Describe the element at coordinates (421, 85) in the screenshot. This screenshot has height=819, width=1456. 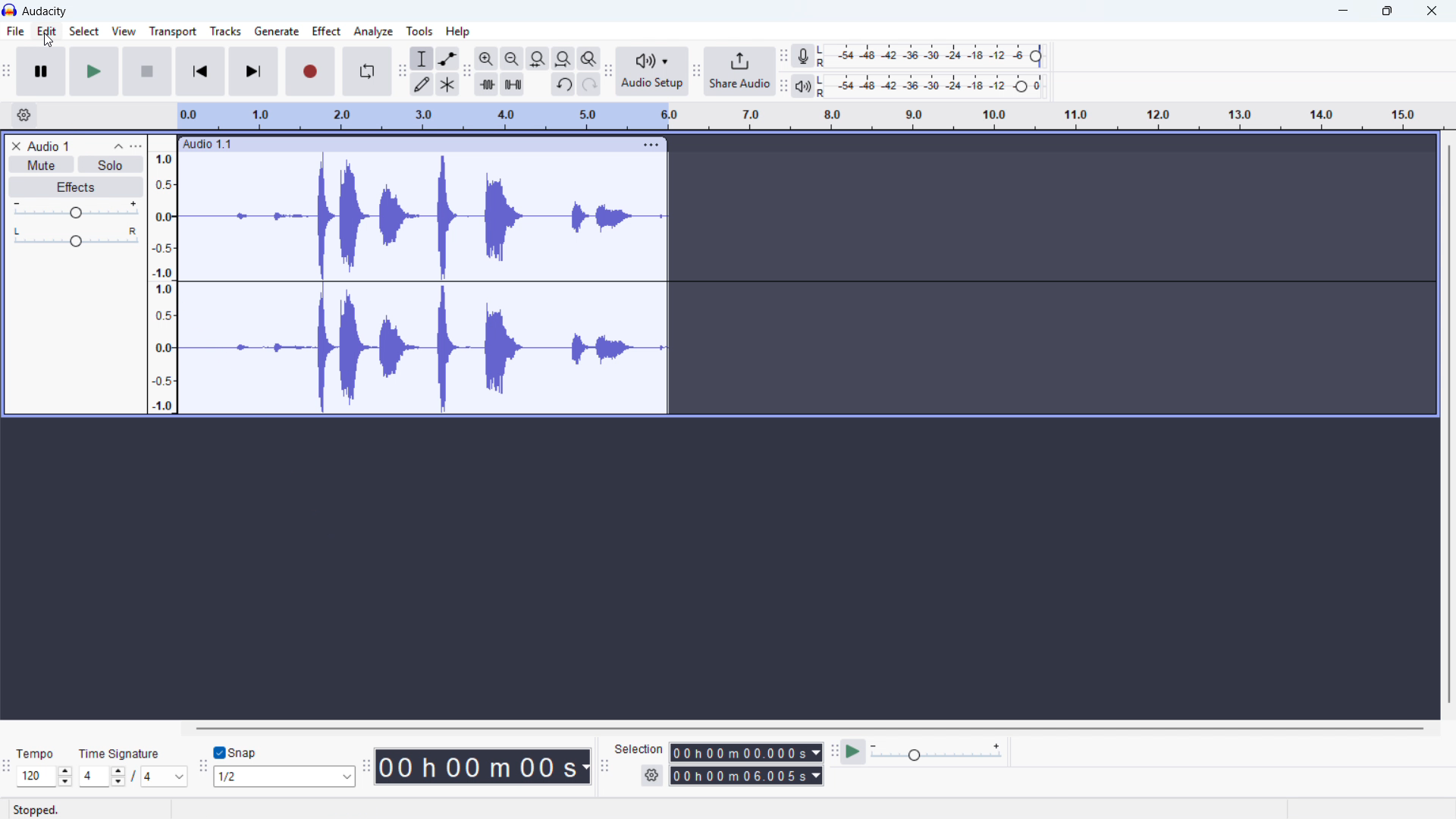
I see `draw tool` at that location.